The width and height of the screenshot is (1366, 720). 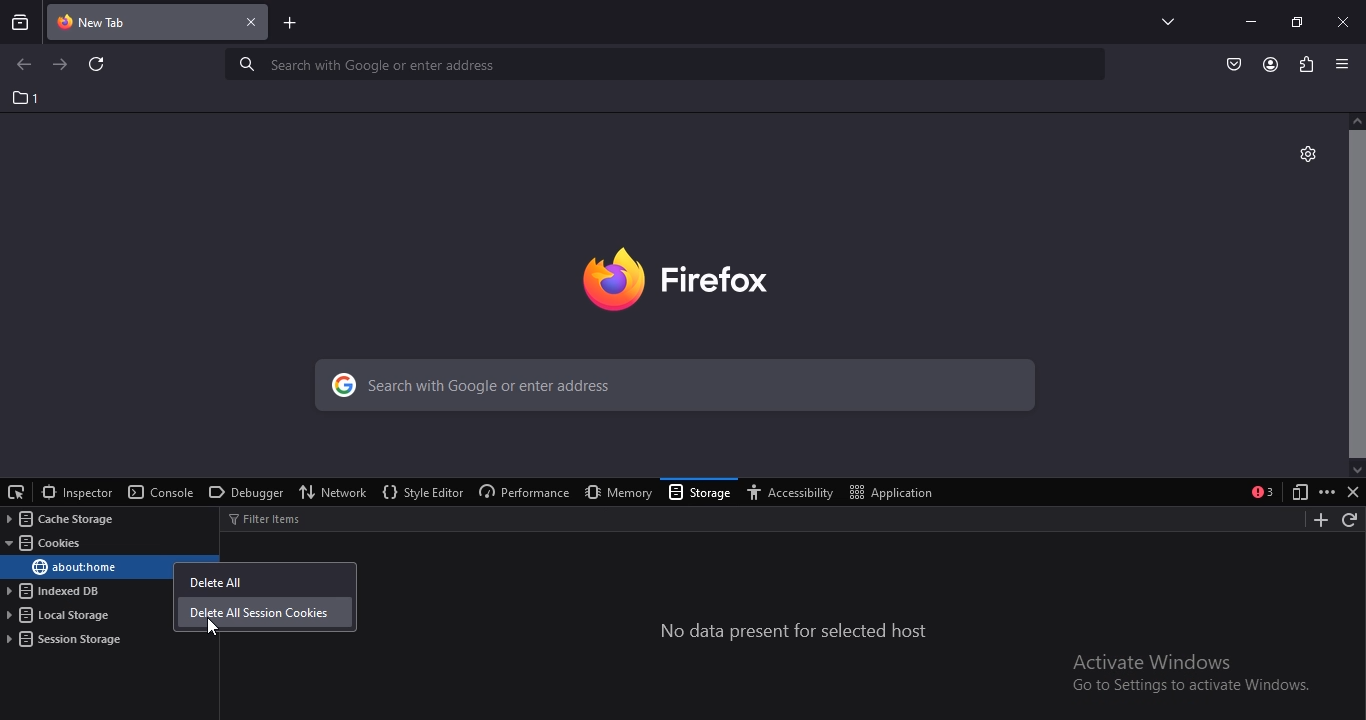 What do you see at coordinates (1327, 492) in the screenshot?
I see `customize developer tools` at bounding box center [1327, 492].